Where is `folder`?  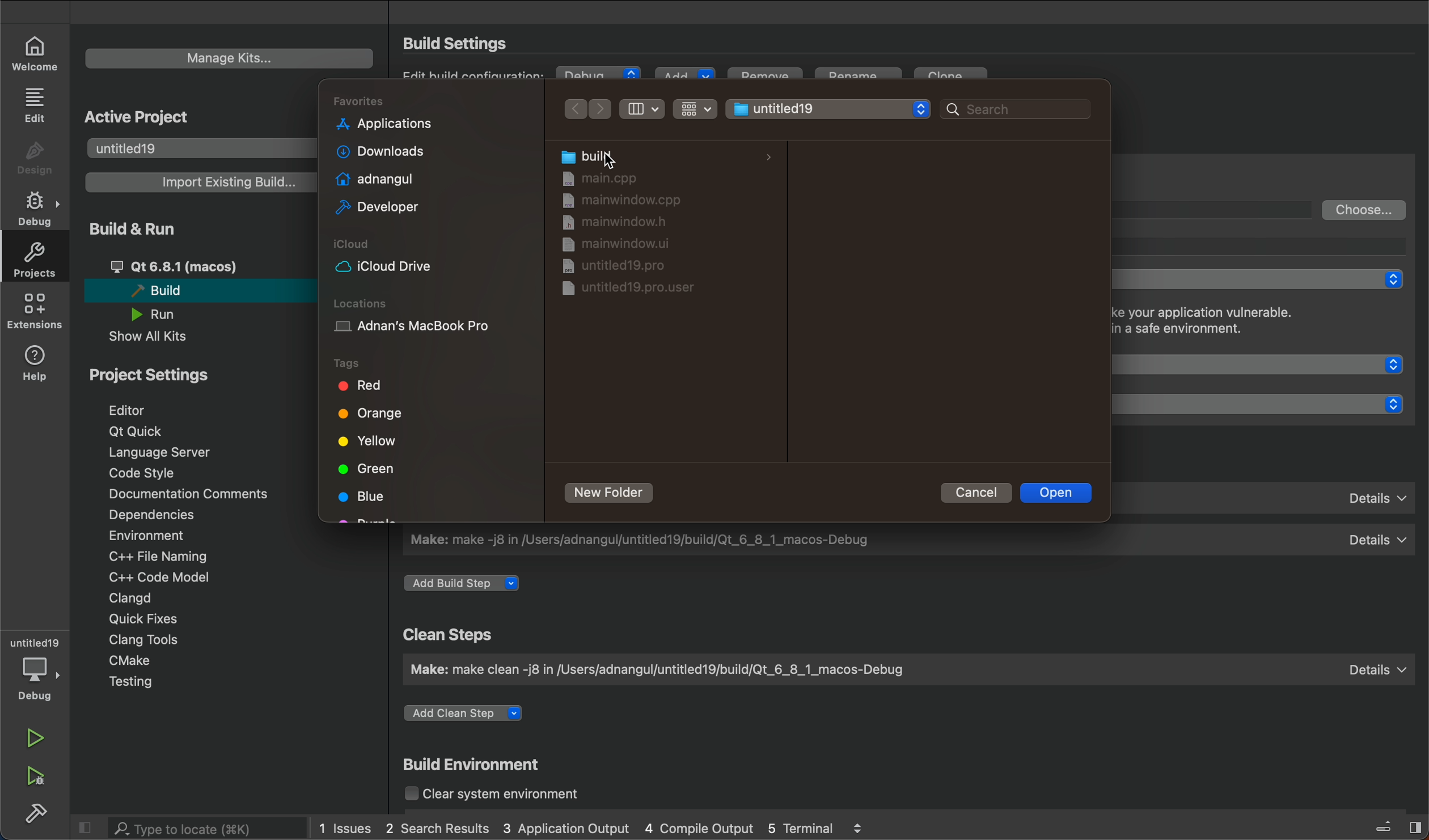
folder is located at coordinates (665, 156).